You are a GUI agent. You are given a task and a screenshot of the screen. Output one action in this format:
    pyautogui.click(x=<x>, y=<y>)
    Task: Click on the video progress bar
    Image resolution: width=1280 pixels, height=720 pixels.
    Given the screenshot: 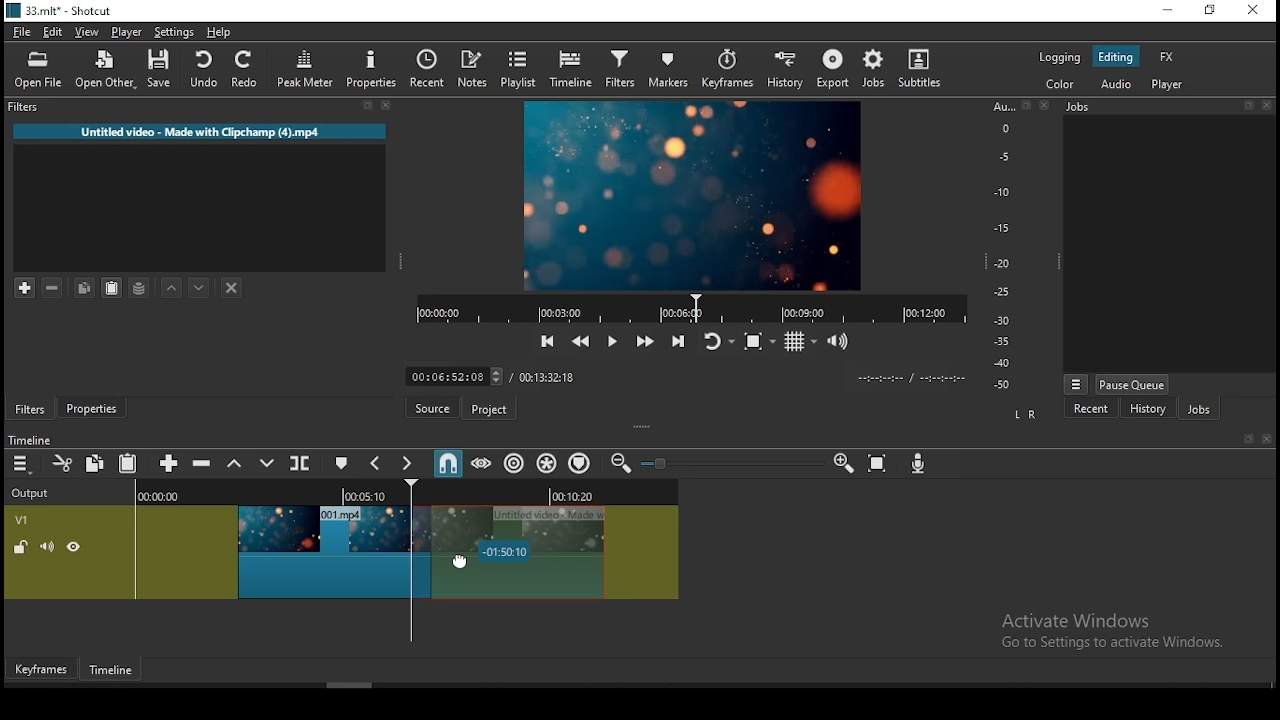 What is the action you would take?
    pyautogui.click(x=684, y=309)
    